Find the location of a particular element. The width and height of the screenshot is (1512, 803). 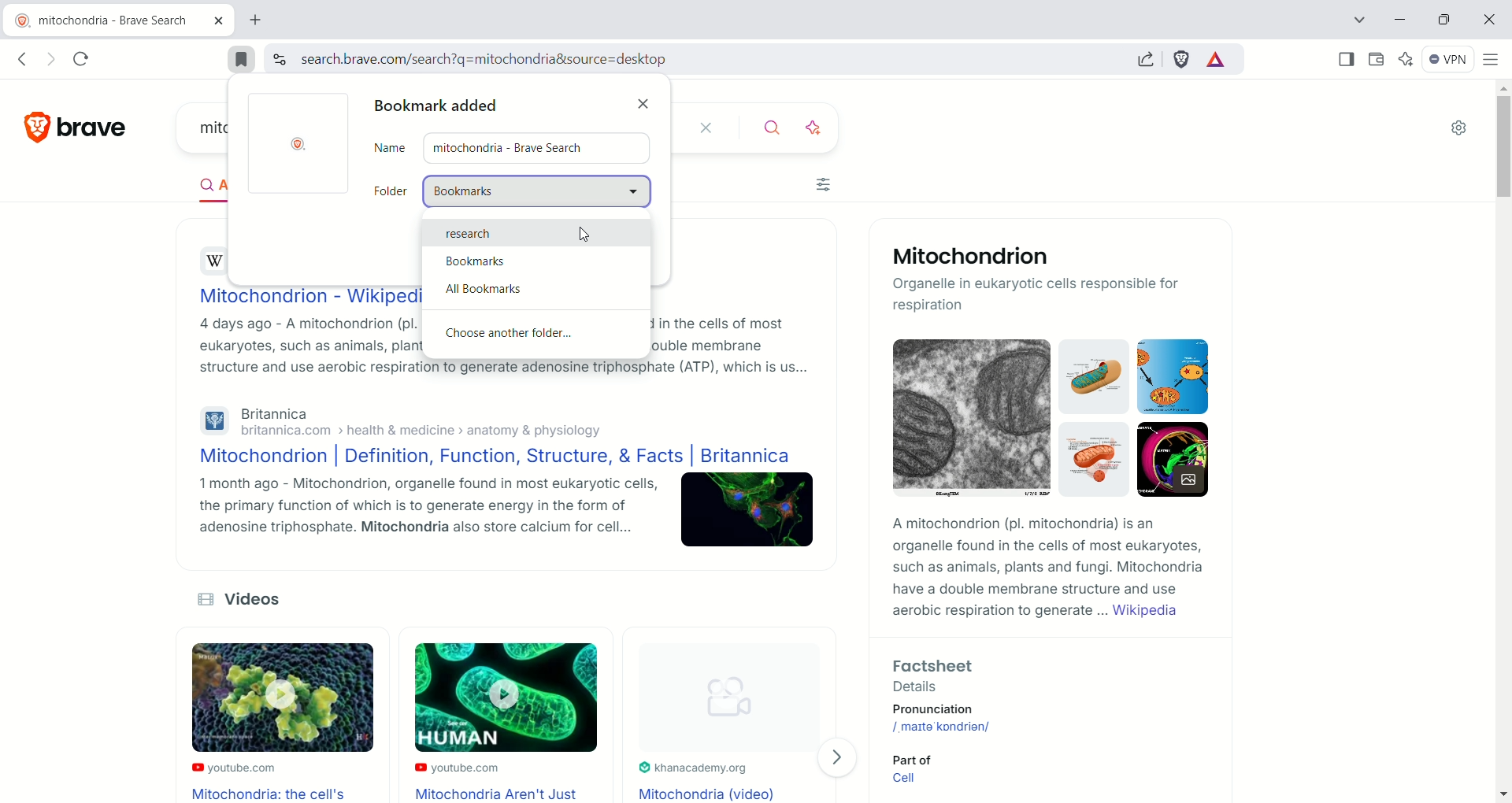

Mitochondrion images is located at coordinates (1043, 424).